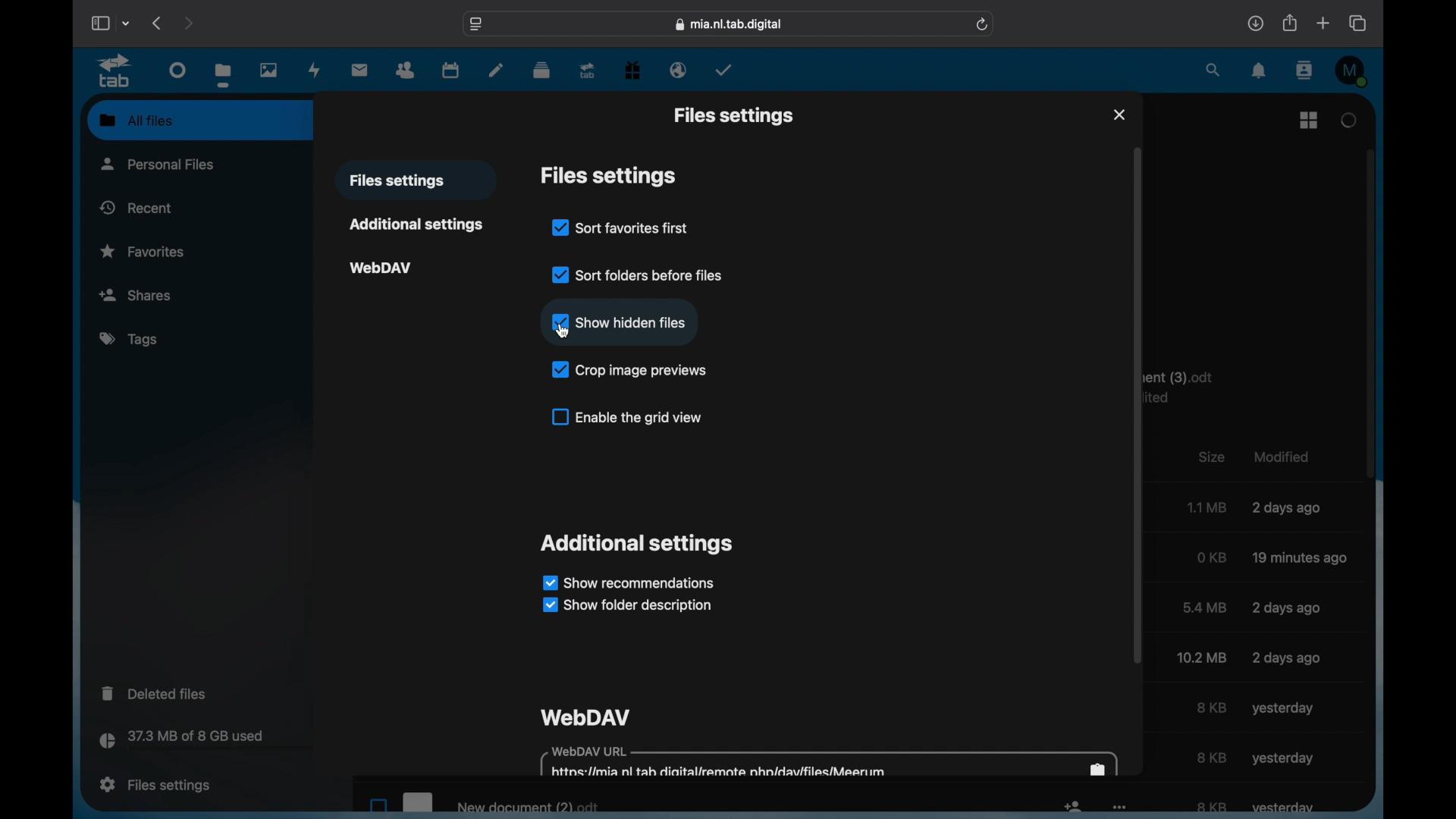  I want to click on modified, so click(1287, 507).